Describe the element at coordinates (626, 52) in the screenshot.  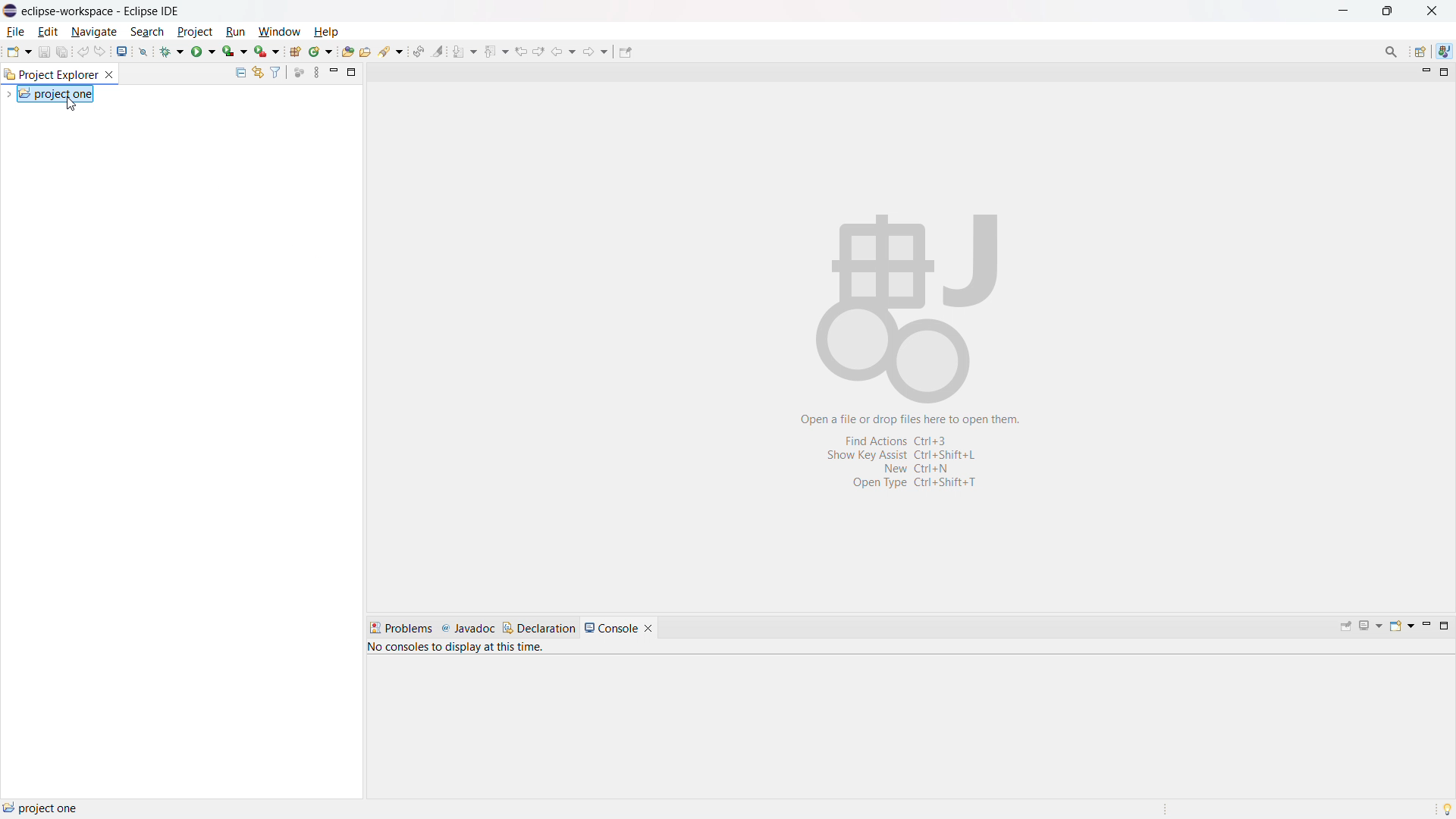
I see `pin editor` at that location.